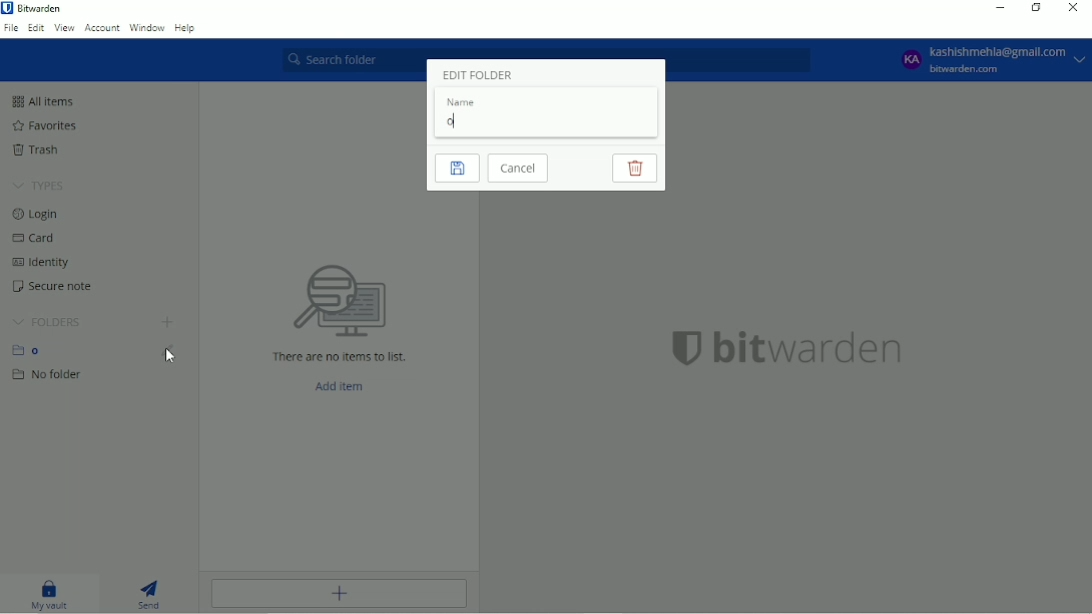 This screenshot has width=1092, height=614. I want to click on Identity, so click(41, 262).